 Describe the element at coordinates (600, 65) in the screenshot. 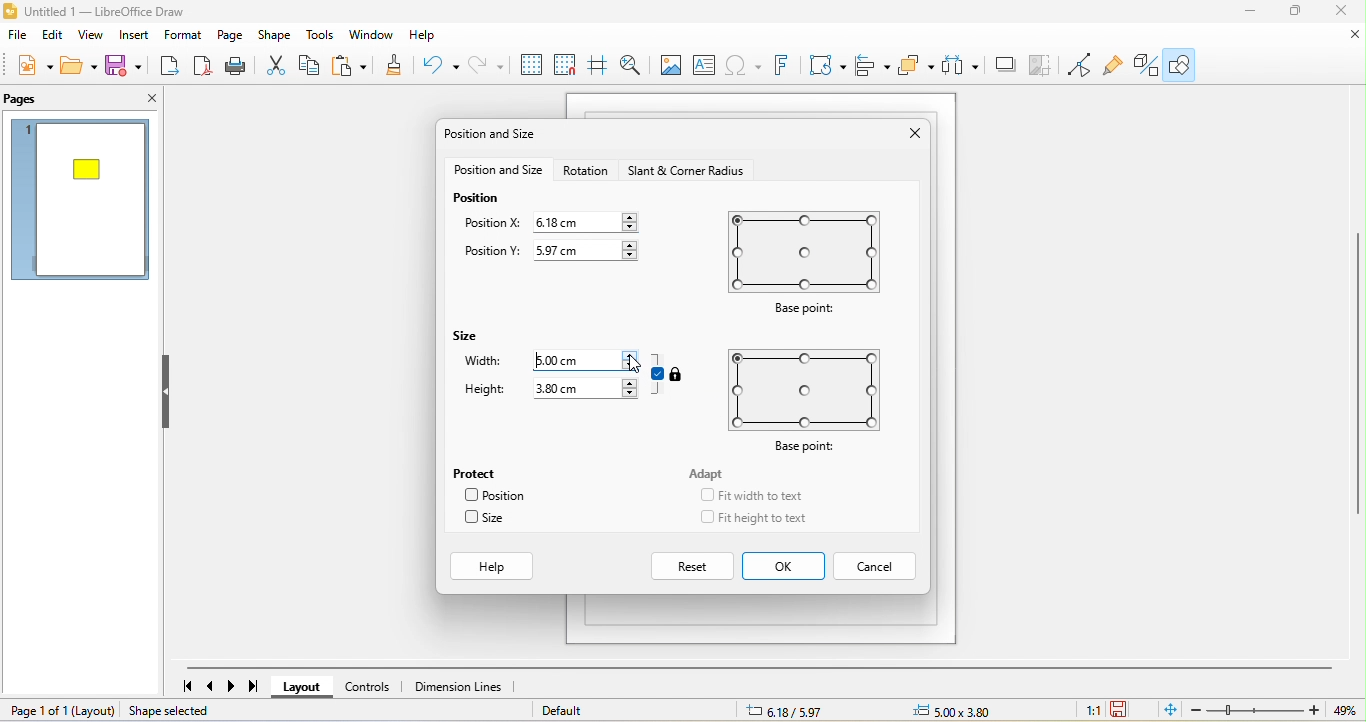

I see `helpline while moving` at that location.